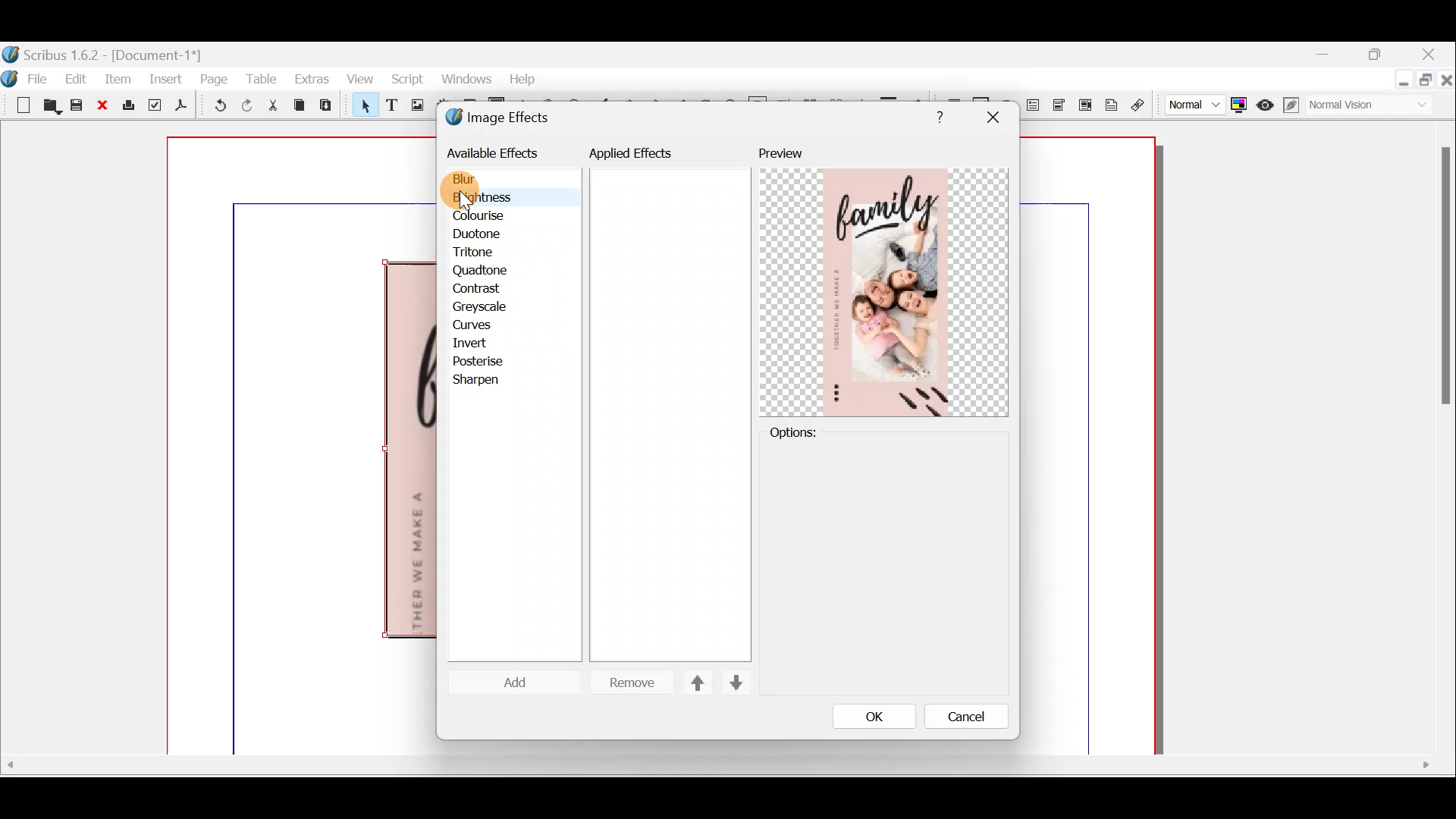  I want to click on Applied effects, so click(643, 157).